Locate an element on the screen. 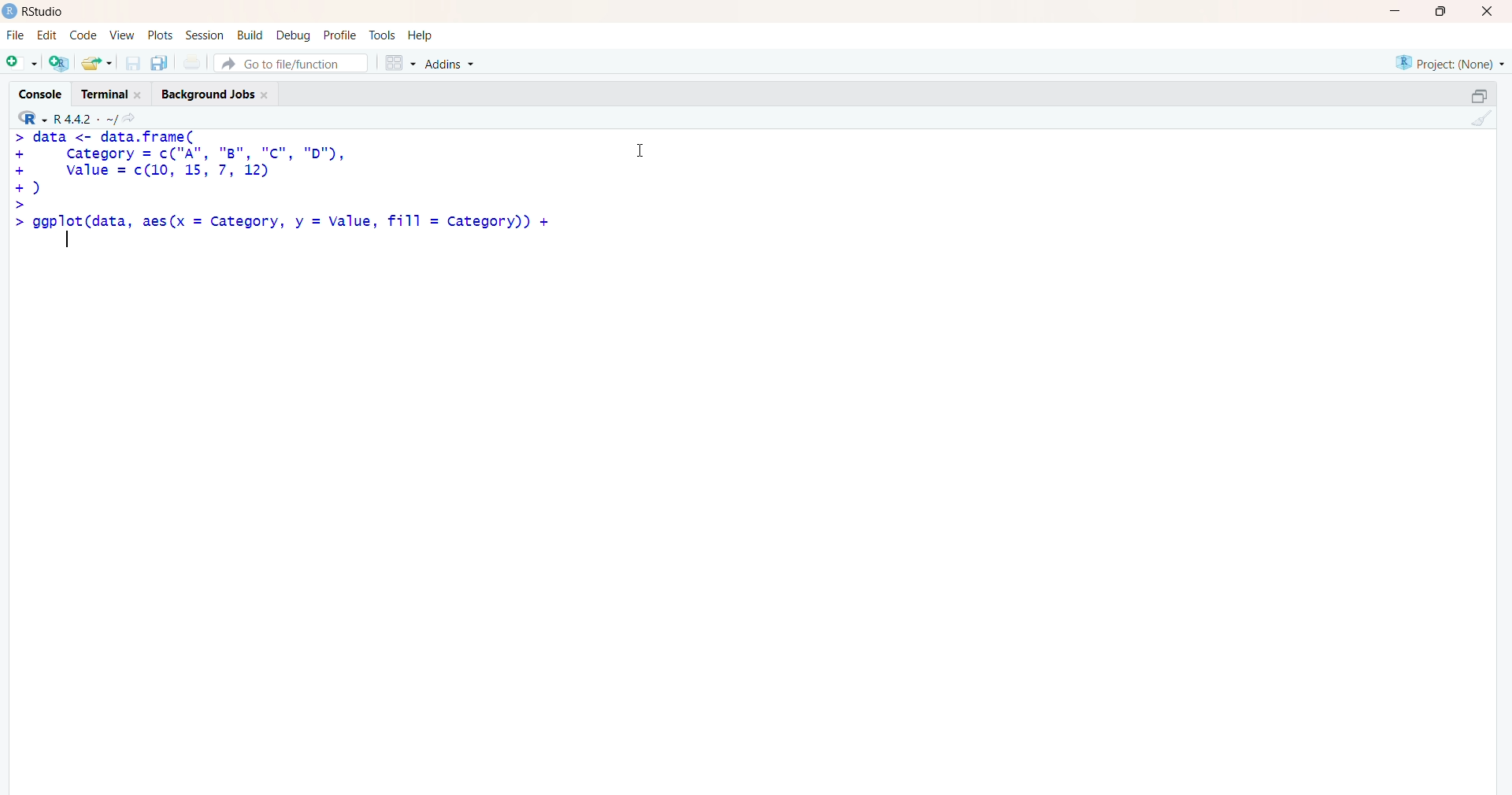  maximize is located at coordinates (1479, 96).